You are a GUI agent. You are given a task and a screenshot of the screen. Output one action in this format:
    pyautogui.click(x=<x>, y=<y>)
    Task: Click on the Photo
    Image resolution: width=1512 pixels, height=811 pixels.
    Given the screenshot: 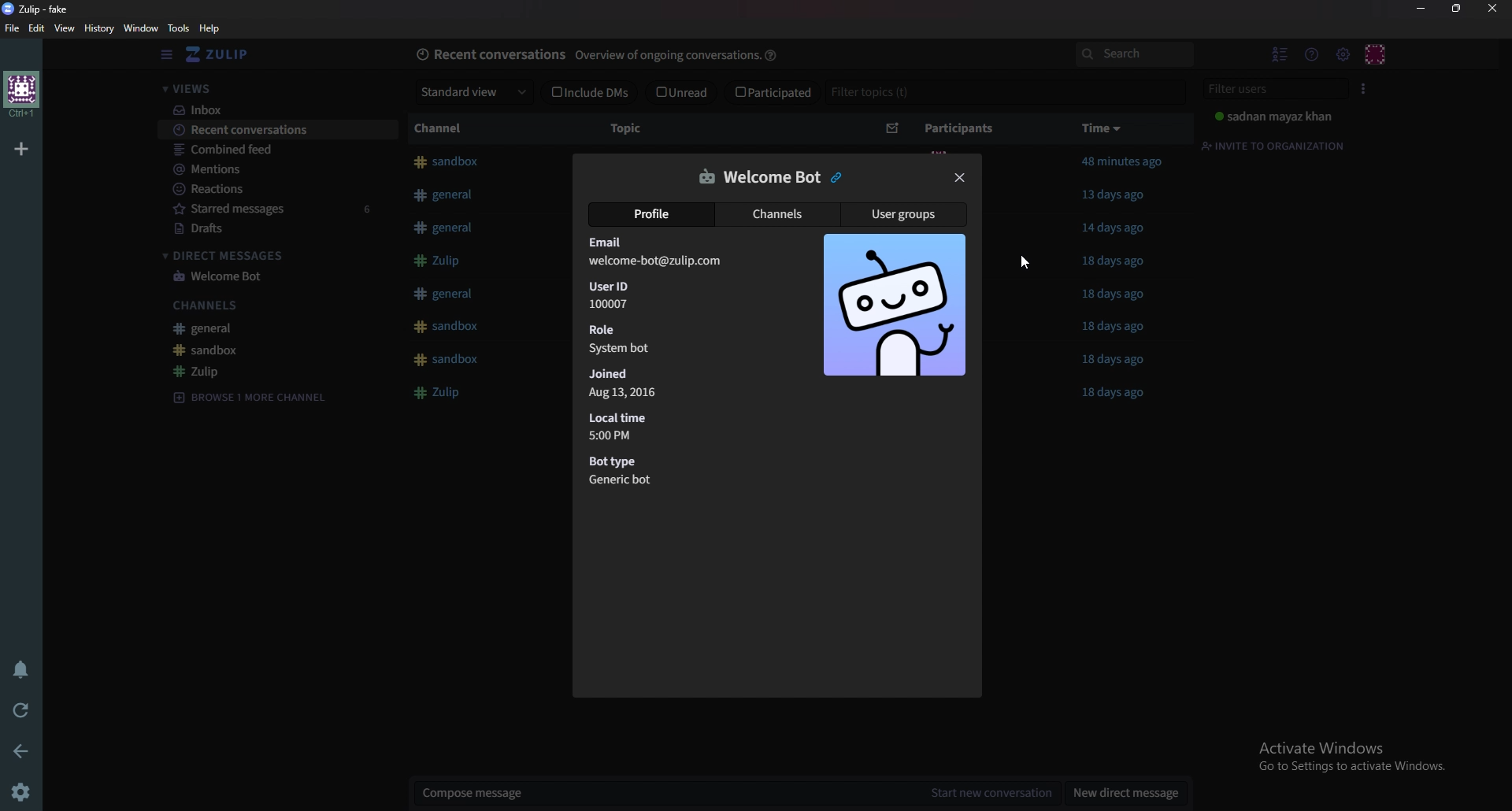 What is the action you would take?
    pyautogui.click(x=895, y=303)
    